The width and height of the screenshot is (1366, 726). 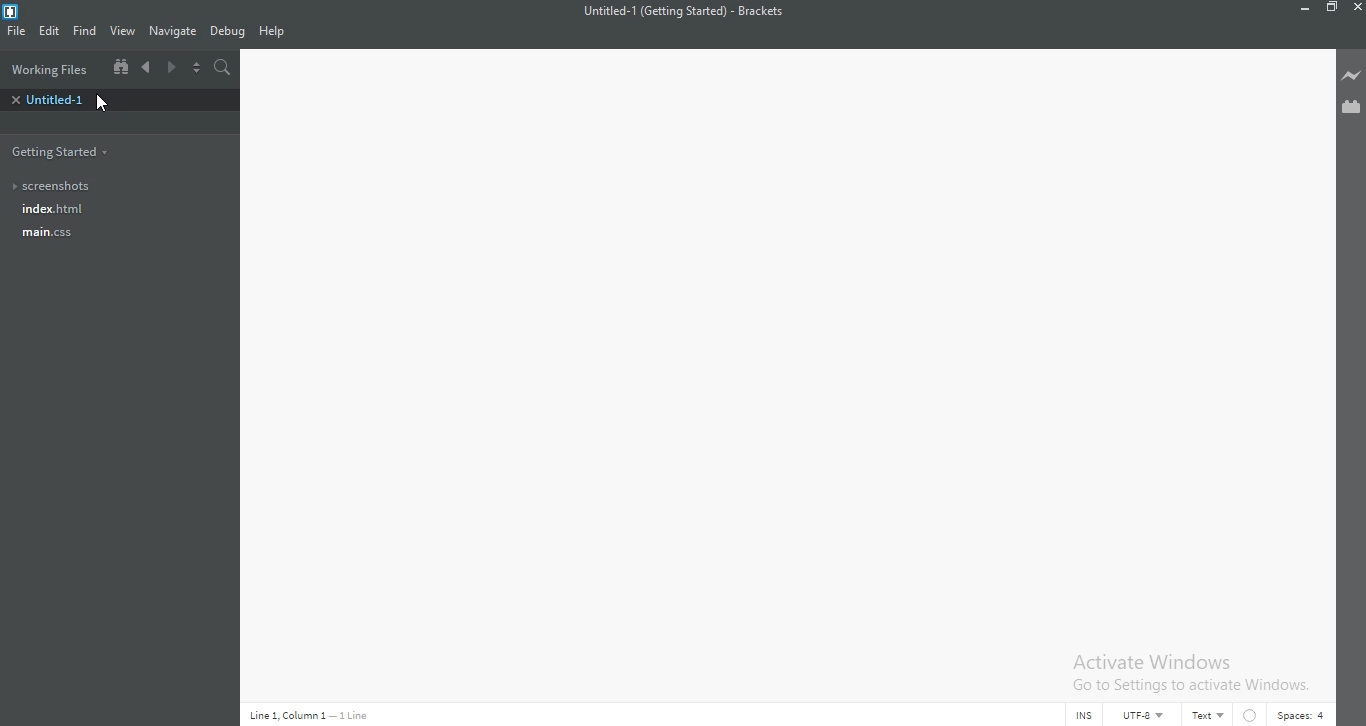 I want to click on Restore, so click(x=1331, y=10).